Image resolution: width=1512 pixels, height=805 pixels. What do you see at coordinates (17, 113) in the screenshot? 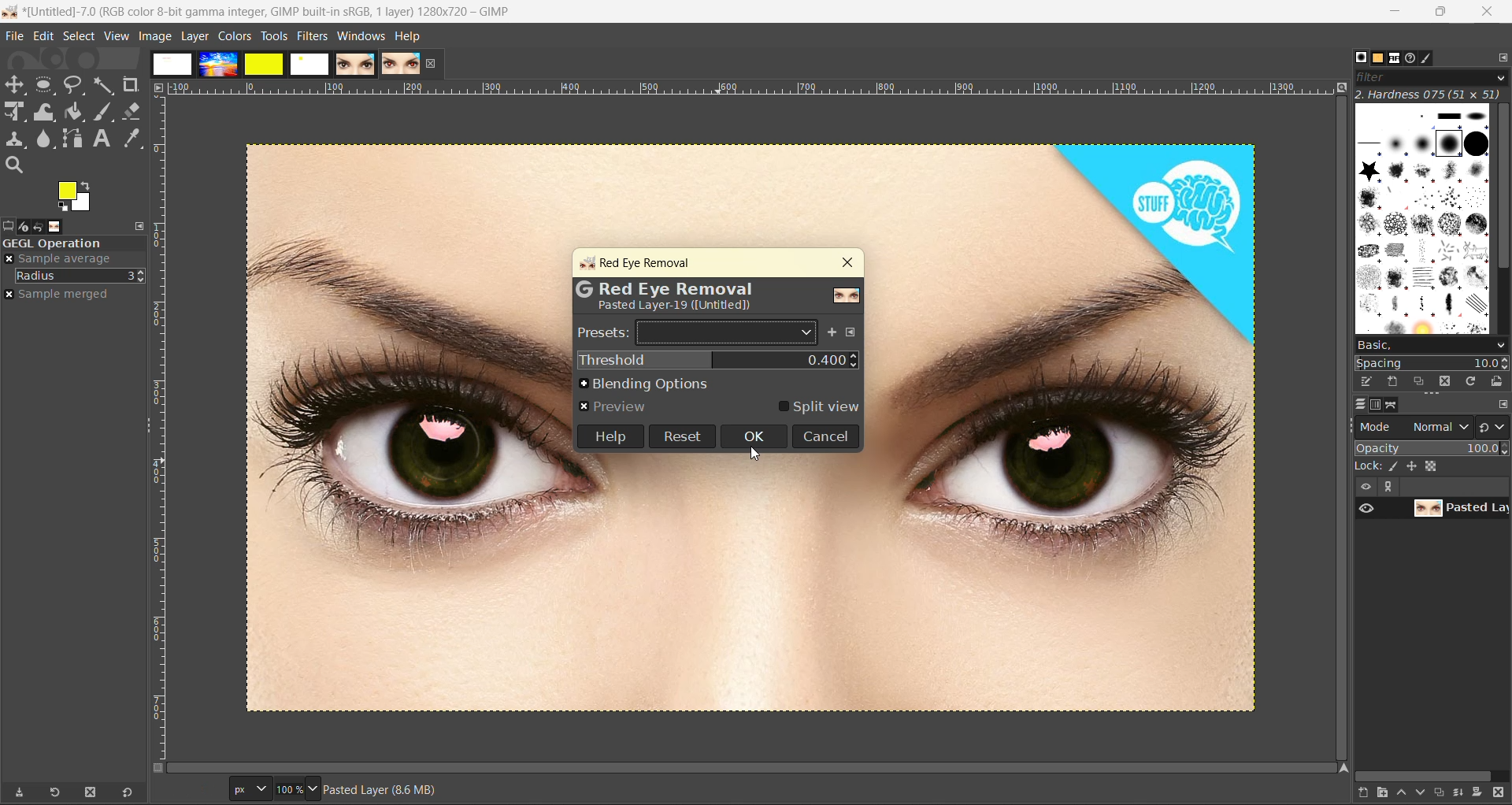
I see `Scale` at bounding box center [17, 113].